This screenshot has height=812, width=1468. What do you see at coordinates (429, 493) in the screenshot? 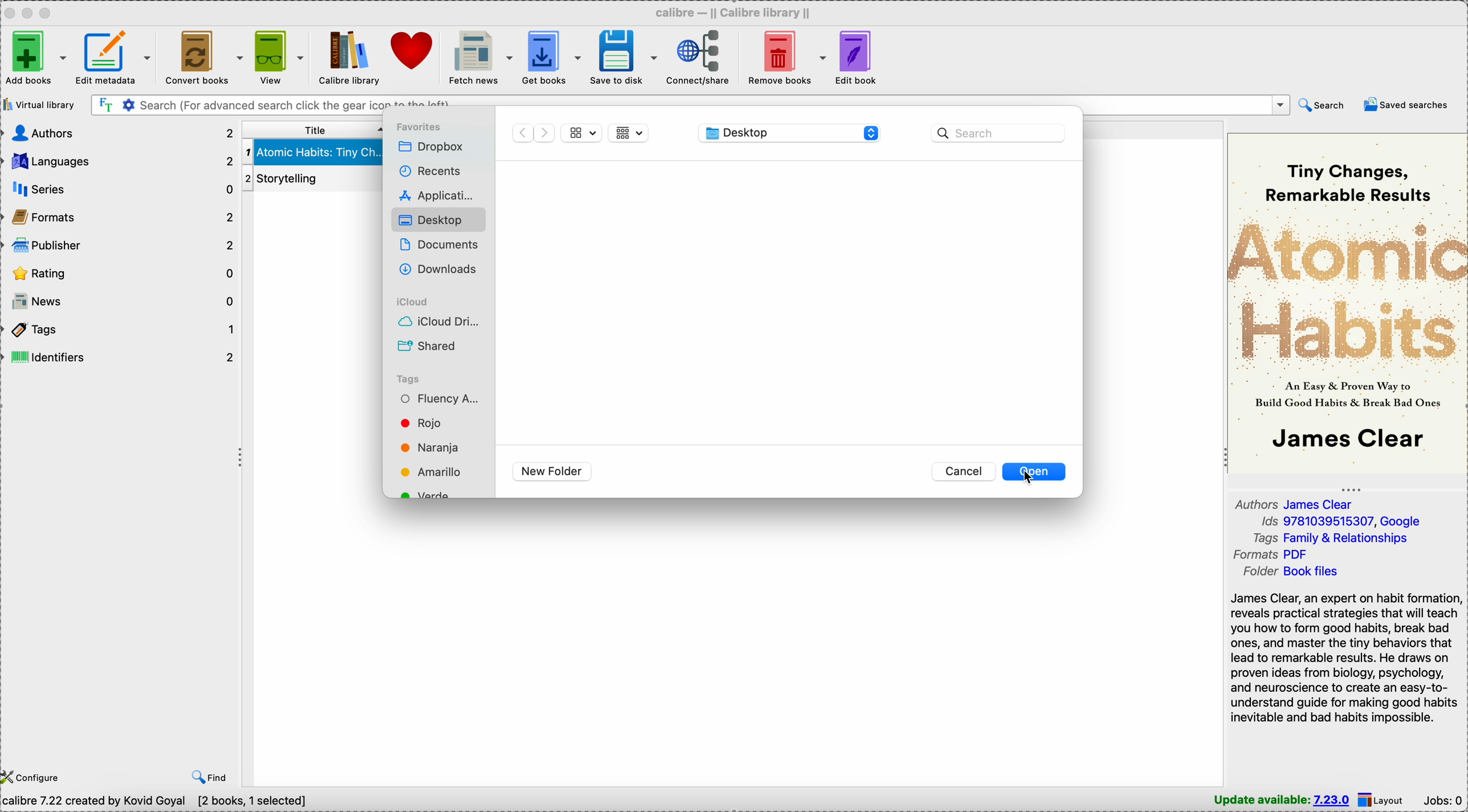
I see `Green tag` at bounding box center [429, 493].